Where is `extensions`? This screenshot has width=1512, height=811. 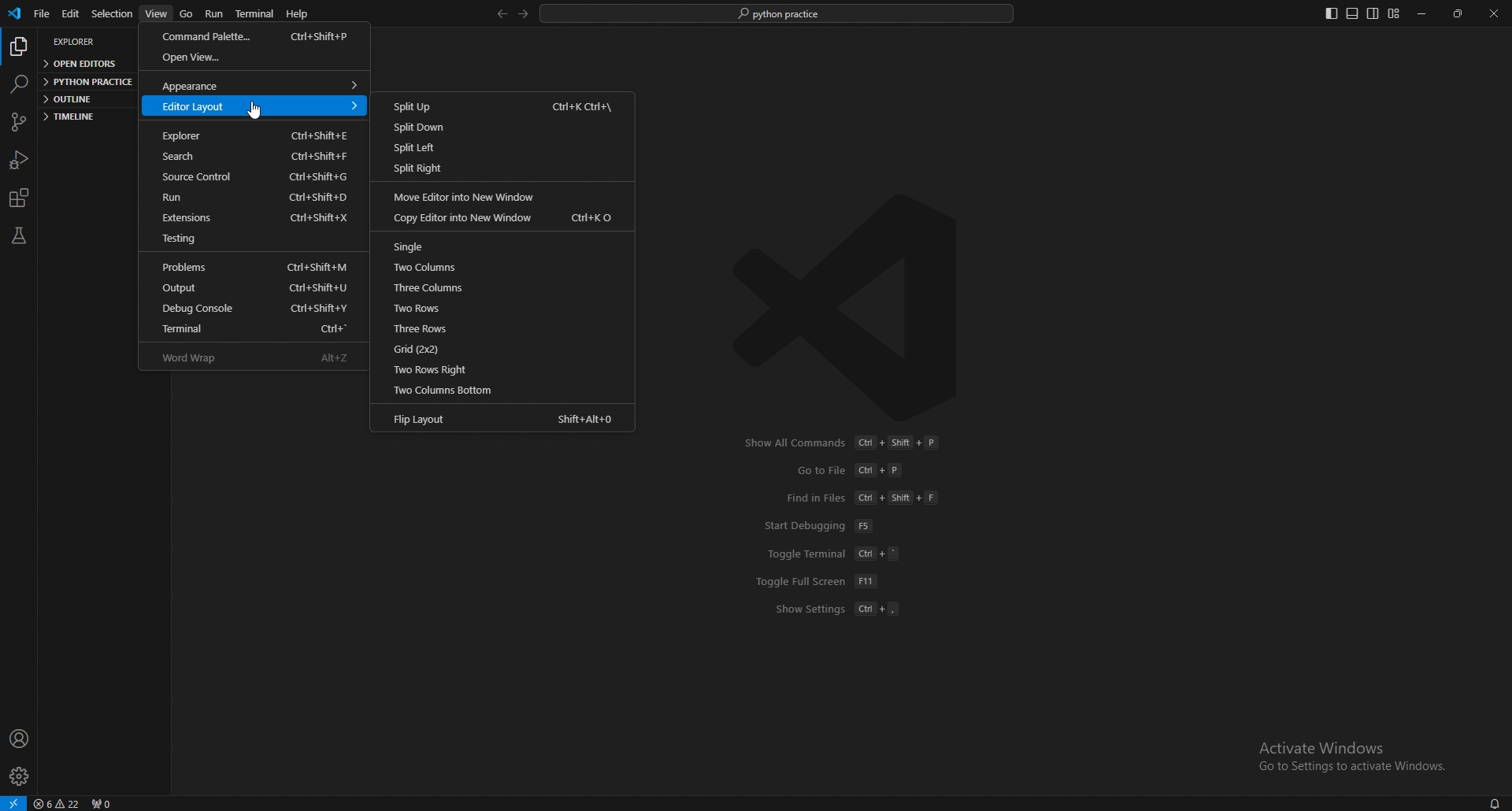 extensions is located at coordinates (22, 198).